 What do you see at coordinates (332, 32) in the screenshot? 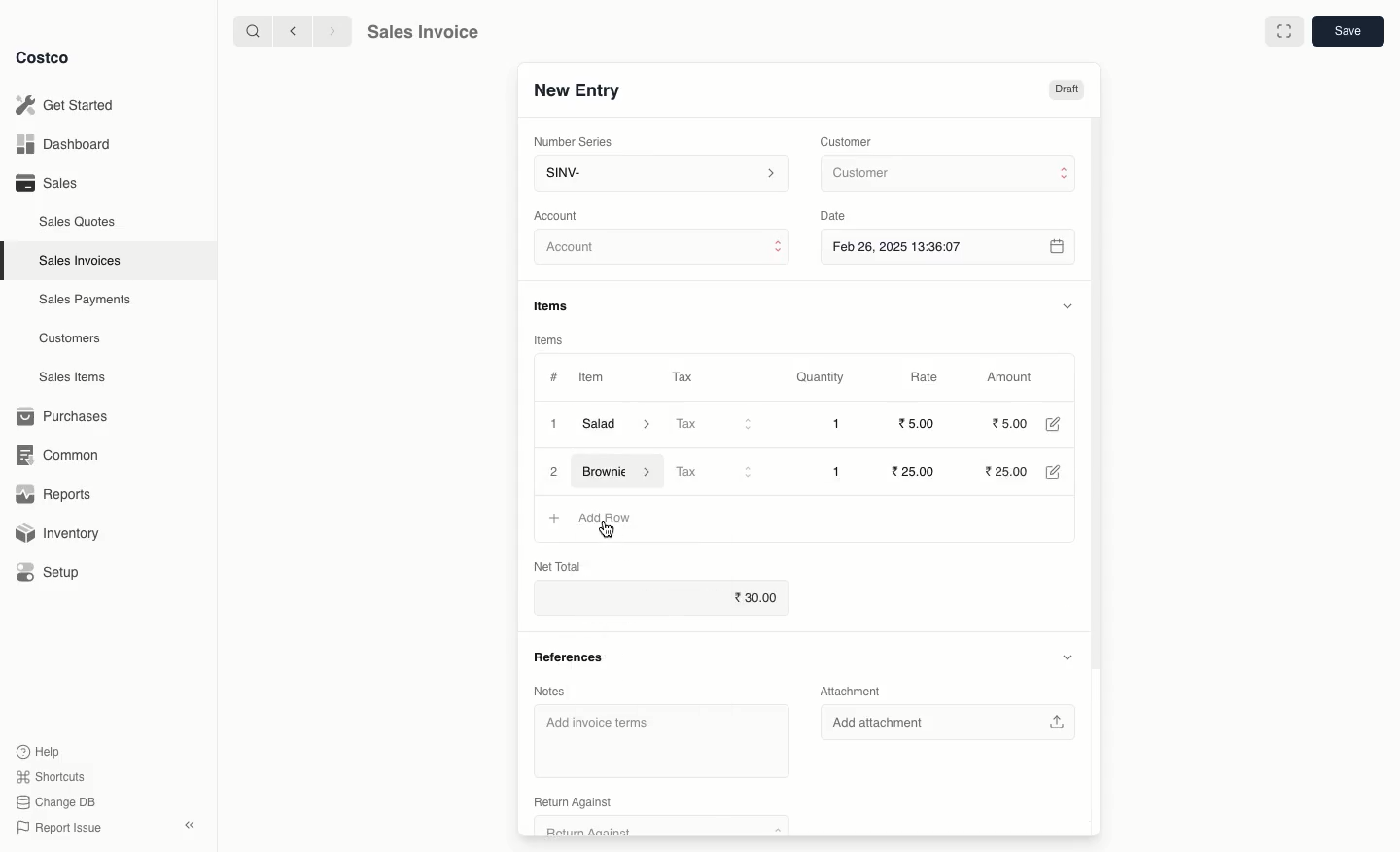
I see `Forward` at bounding box center [332, 32].